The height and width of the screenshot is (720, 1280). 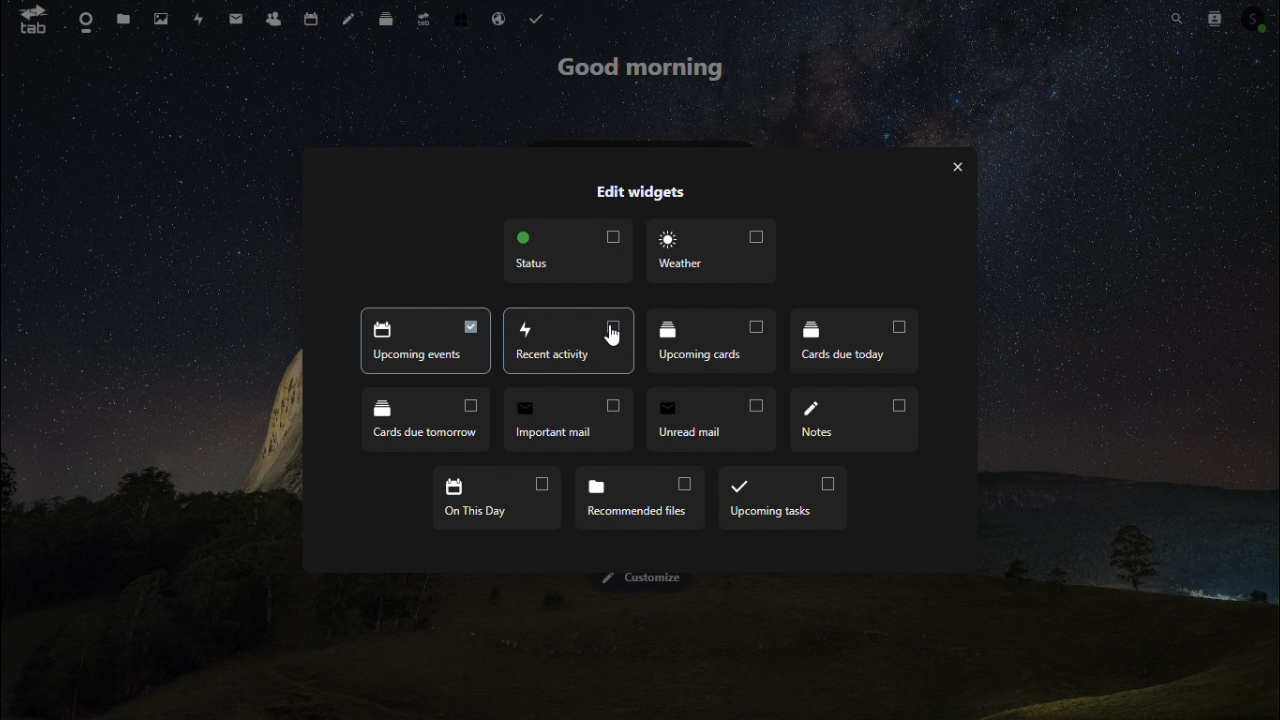 What do you see at coordinates (82, 20) in the screenshot?
I see `Dashboard` at bounding box center [82, 20].